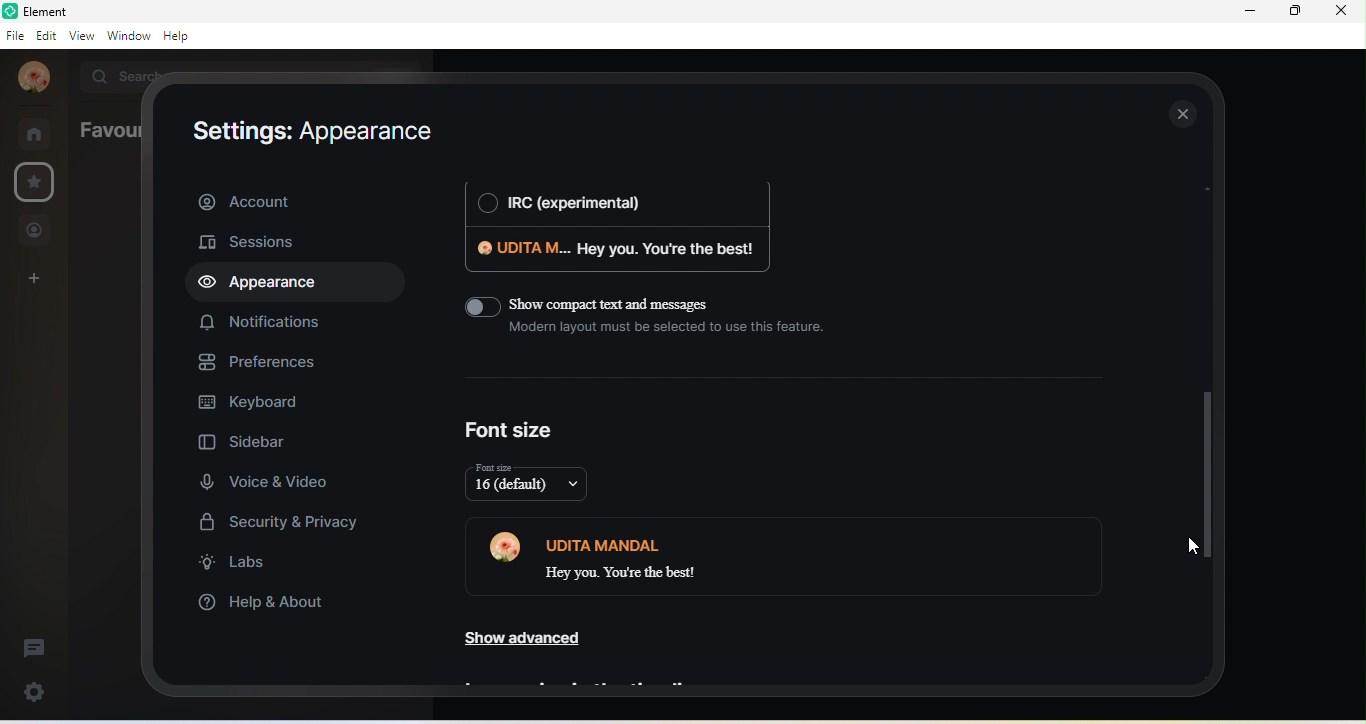  Describe the element at coordinates (316, 136) in the screenshot. I see `setting: appearance` at that location.